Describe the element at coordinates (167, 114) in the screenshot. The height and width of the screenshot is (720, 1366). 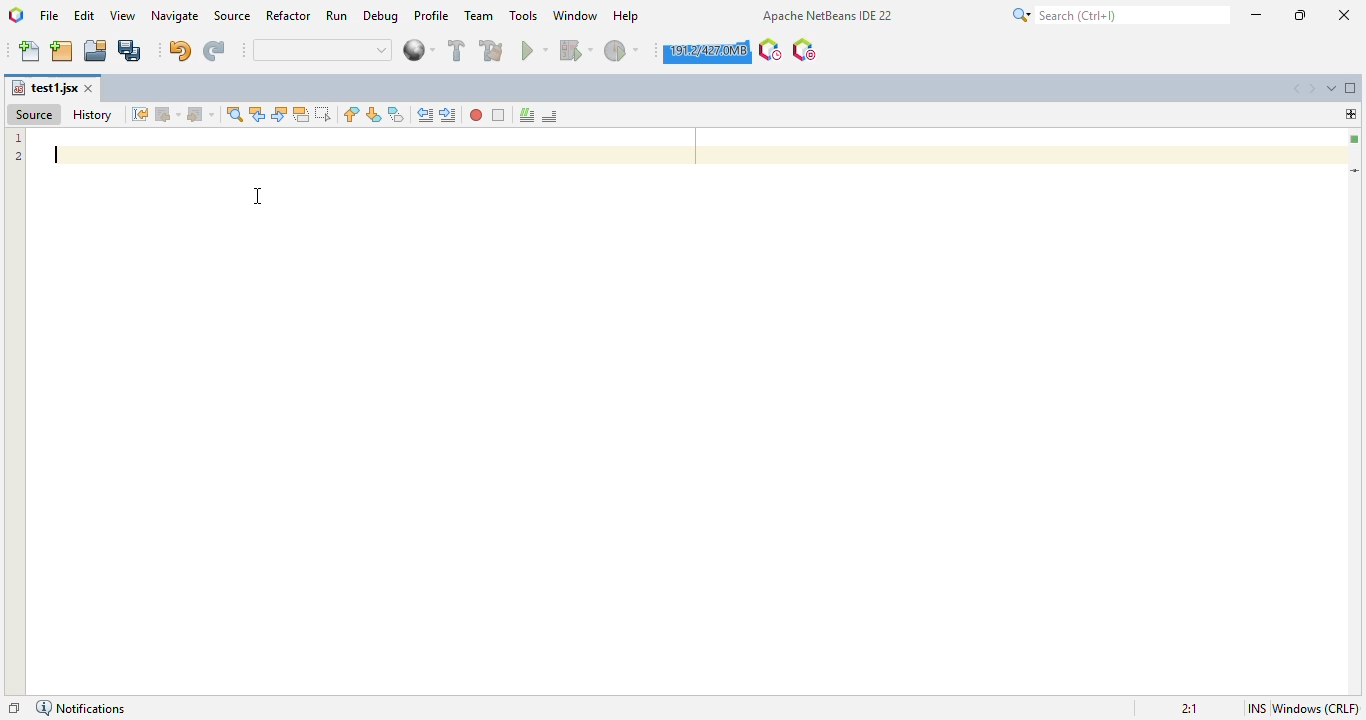
I see `back` at that location.